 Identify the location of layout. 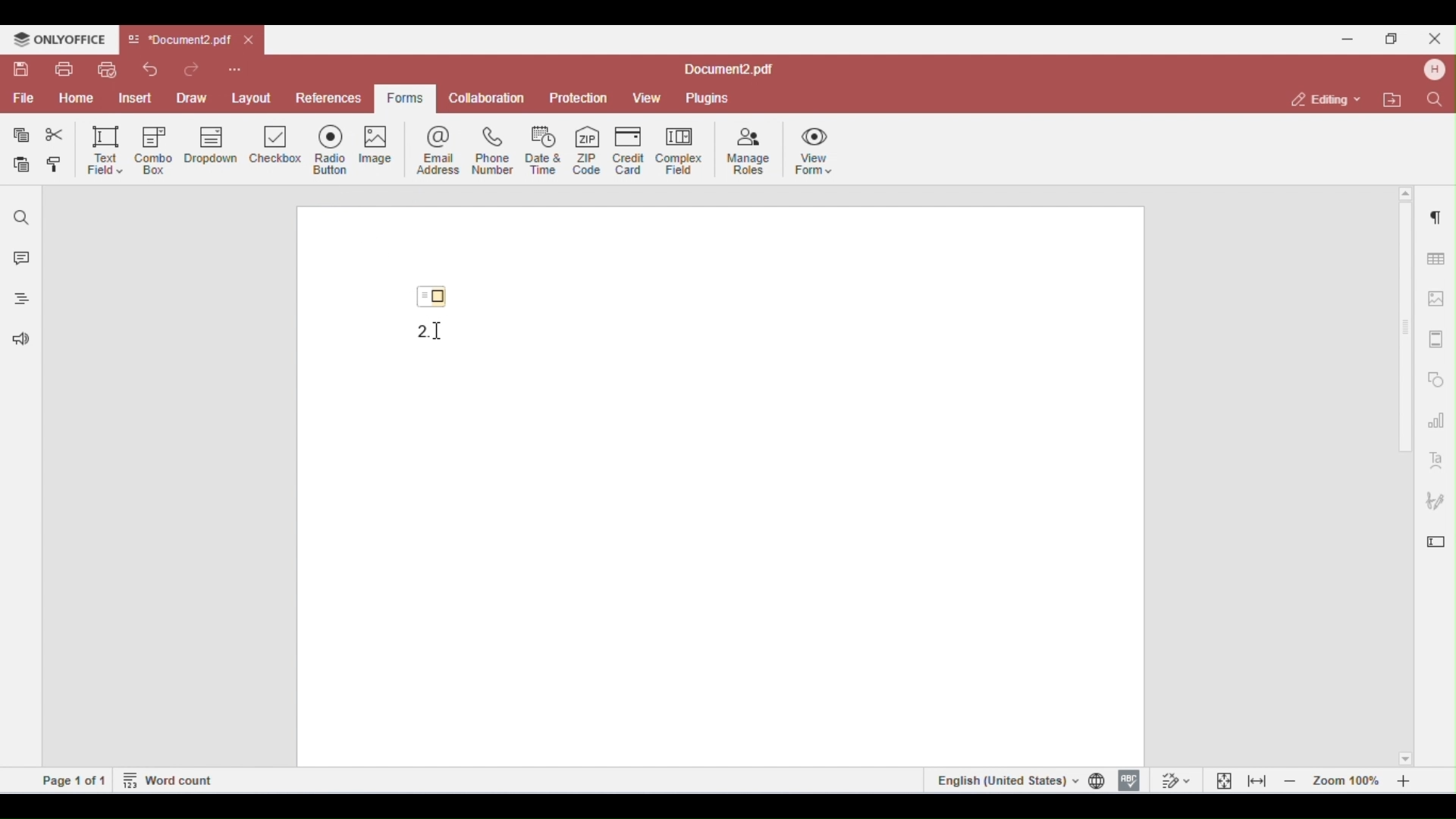
(252, 96).